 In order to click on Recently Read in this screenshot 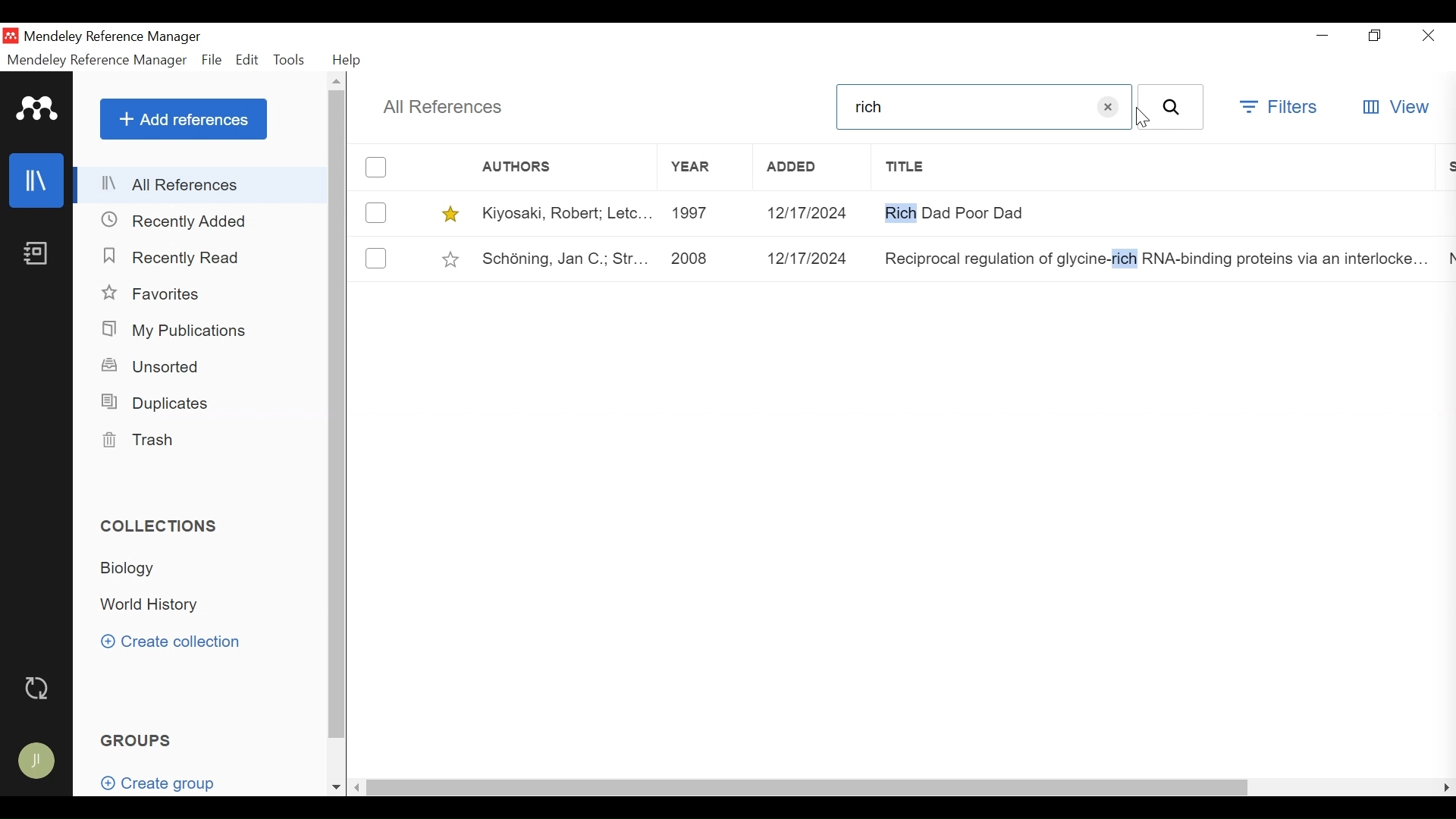, I will do `click(174, 257)`.